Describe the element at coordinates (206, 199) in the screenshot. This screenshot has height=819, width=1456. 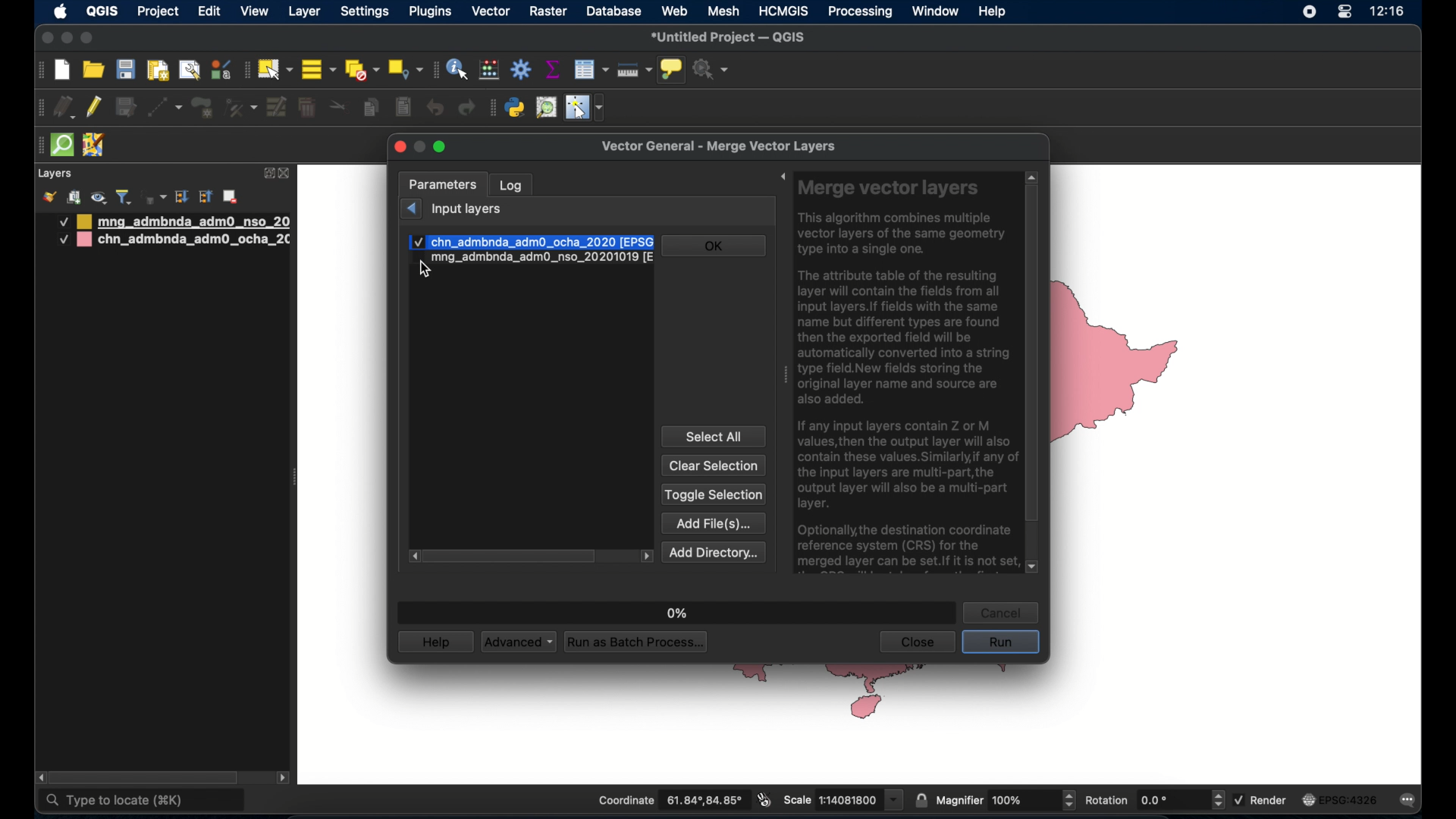
I see `collapse all ` at that location.